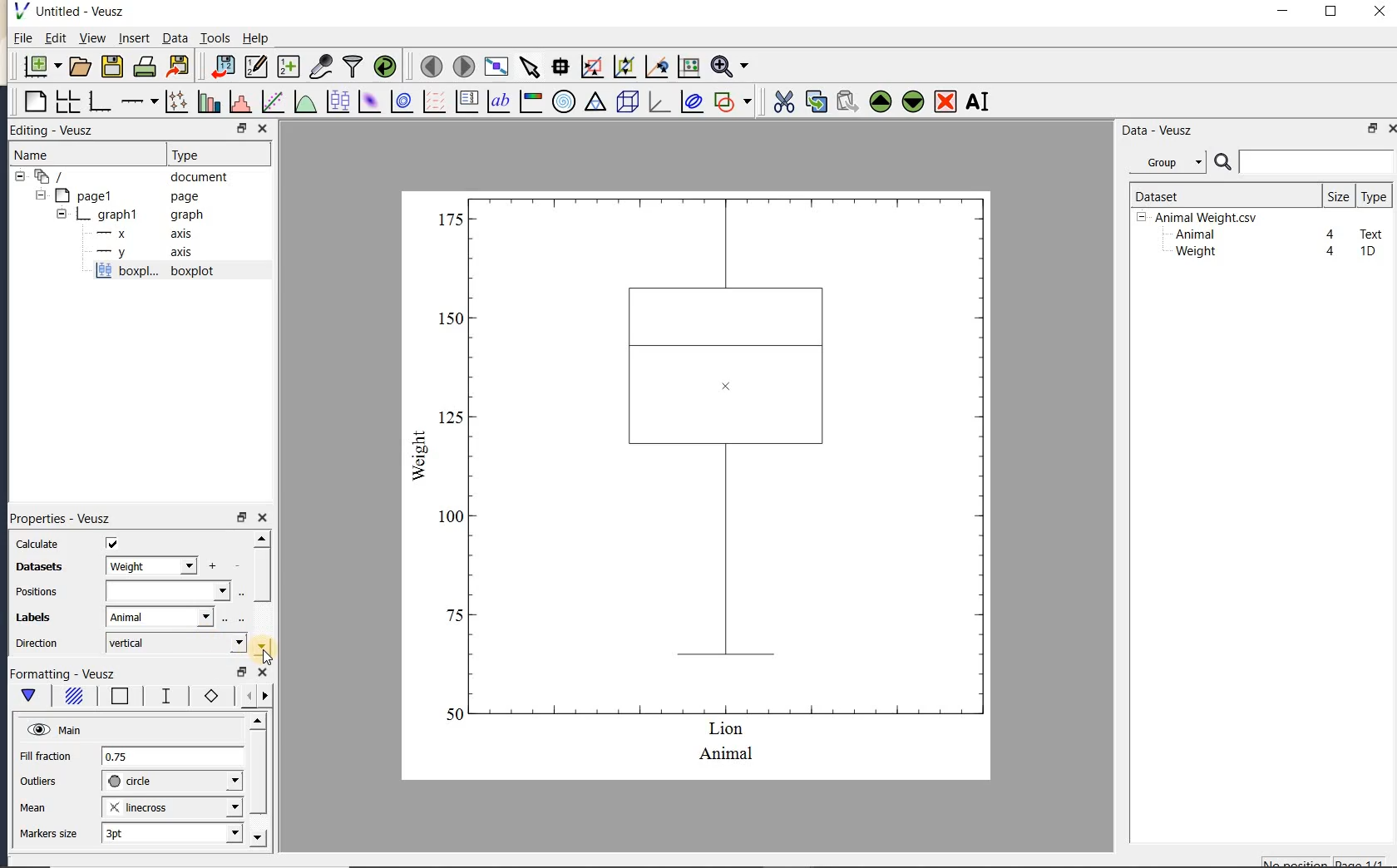 This screenshot has height=868, width=1397. Describe the element at coordinates (31, 618) in the screenshot. I see `Labels` at that location.